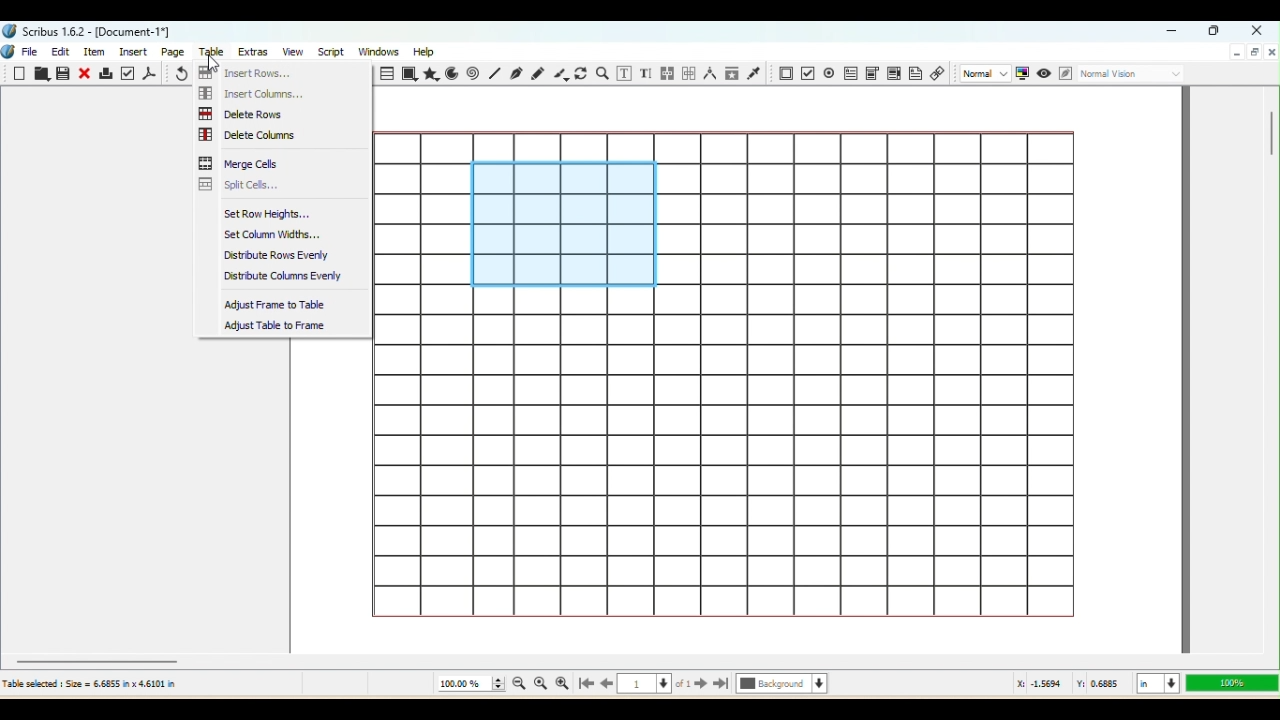 The image size is (1280, 720). Describe the element at coordinates (246, 71) in the screenshot. I see `Insert Rows` at that location.